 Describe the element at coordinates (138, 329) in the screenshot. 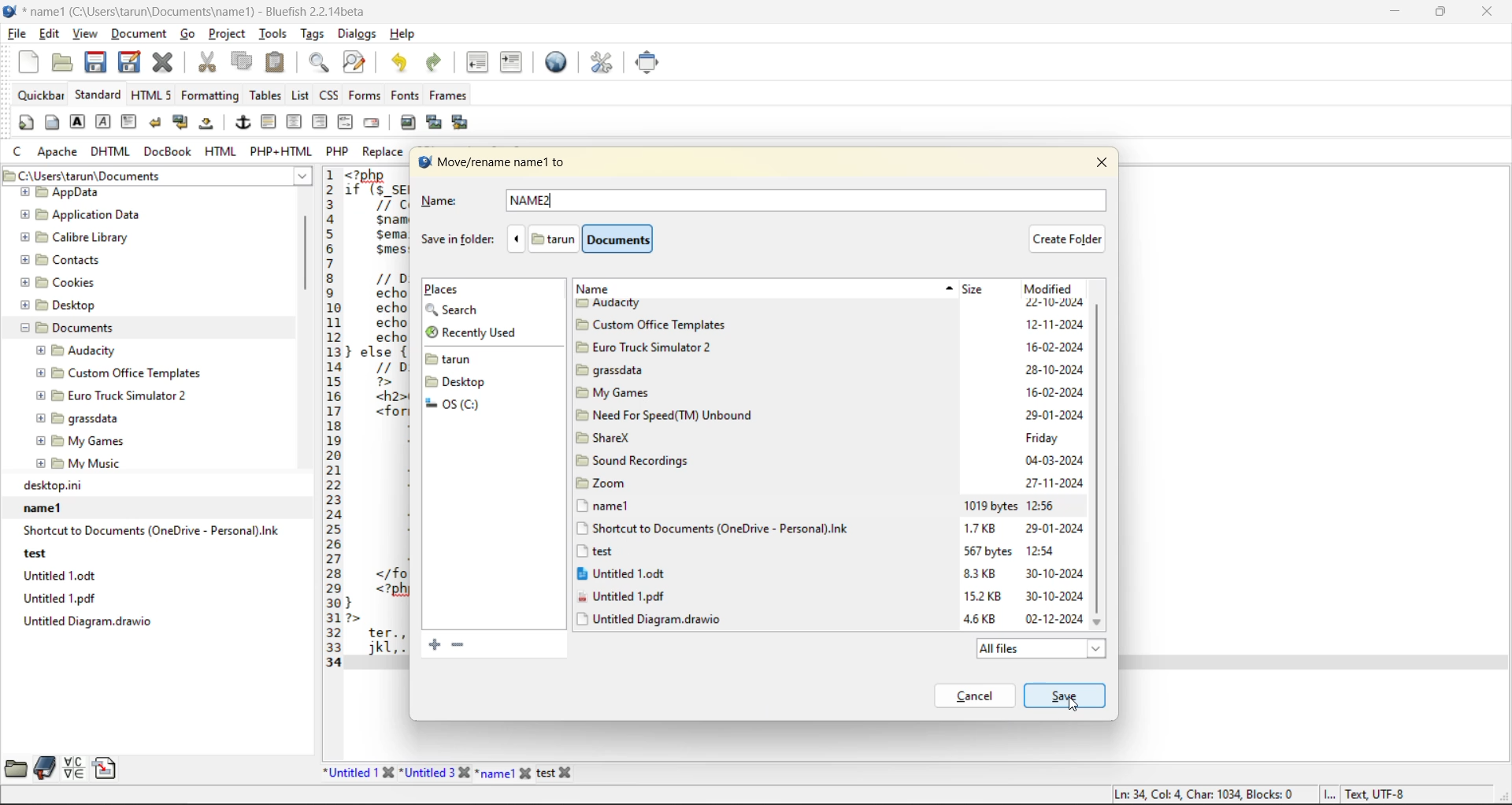

I see `folder explorer` at that location.